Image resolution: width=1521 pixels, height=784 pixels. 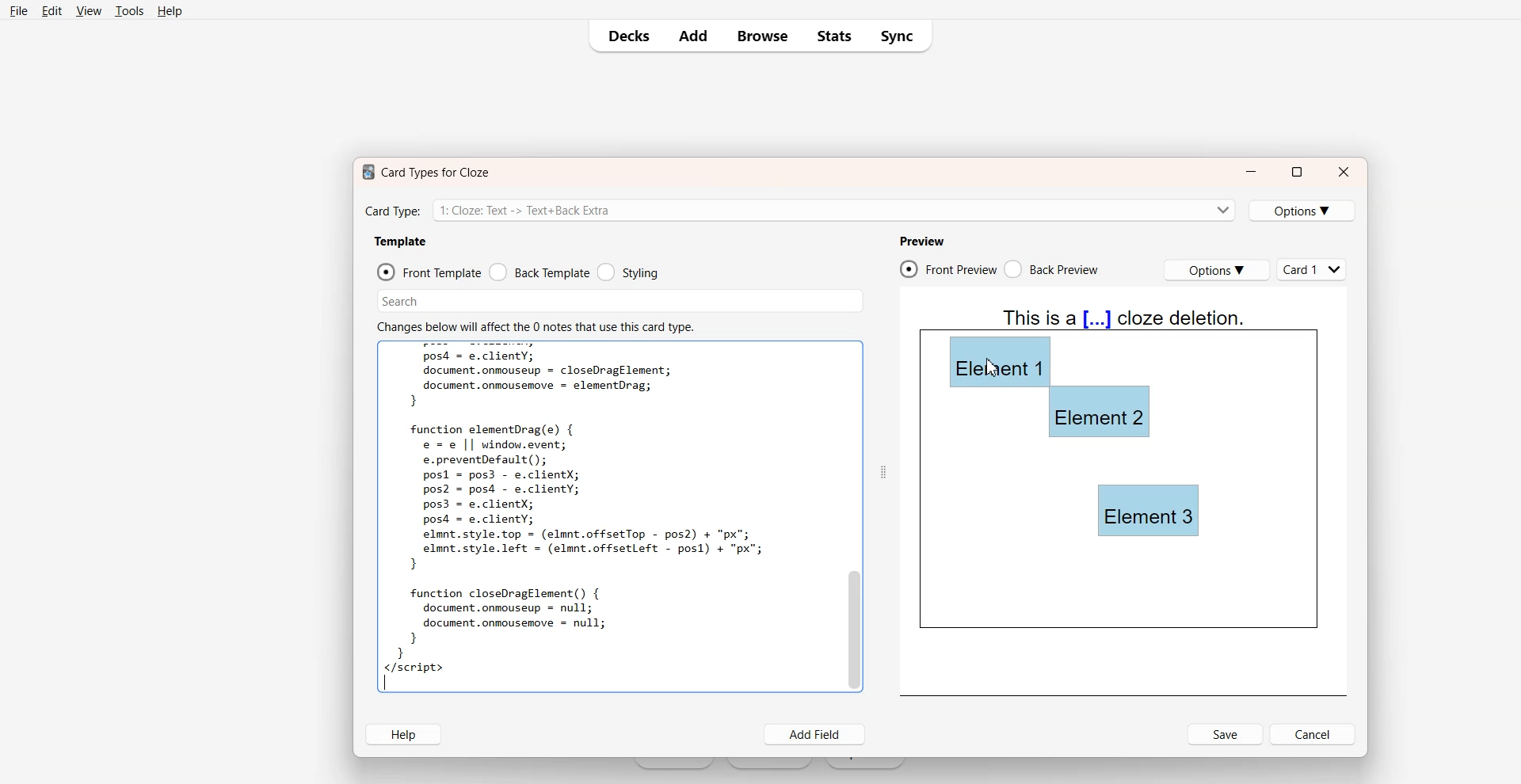 I want to click on Close, so click(x=1344, y=172).